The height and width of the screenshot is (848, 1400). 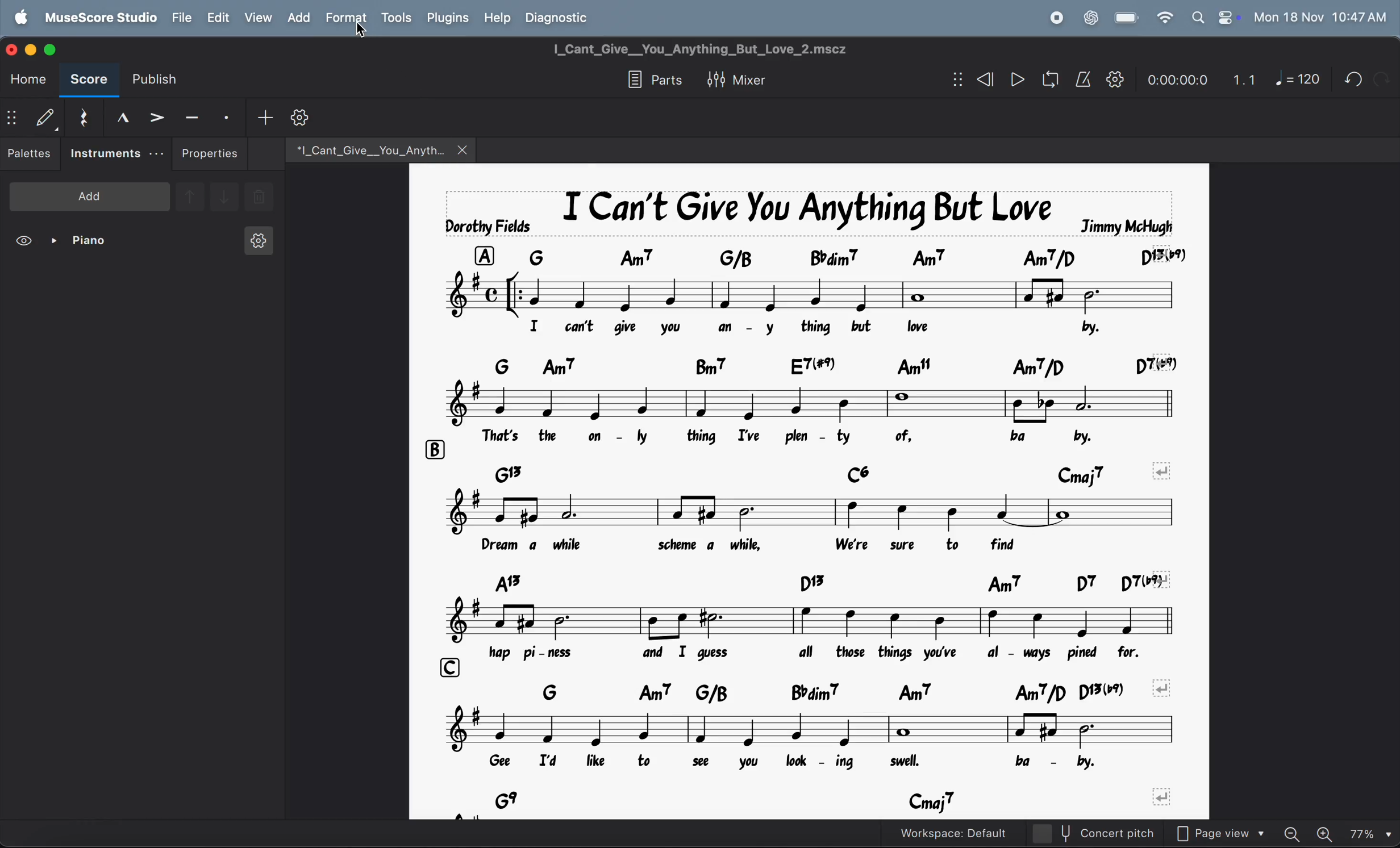 I want to click on lyrics, so click(x=813, y=329).